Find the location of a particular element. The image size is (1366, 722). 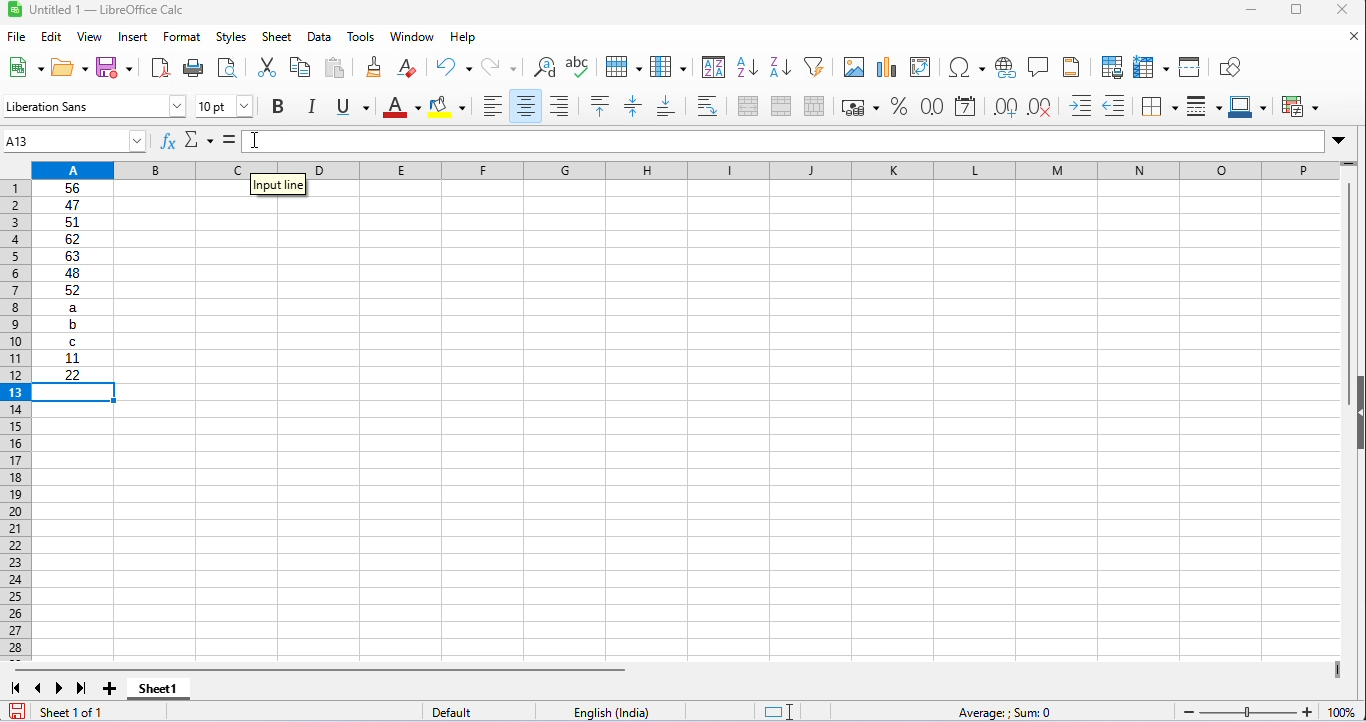

delete decimal place is located at coordinates (1039, 108).